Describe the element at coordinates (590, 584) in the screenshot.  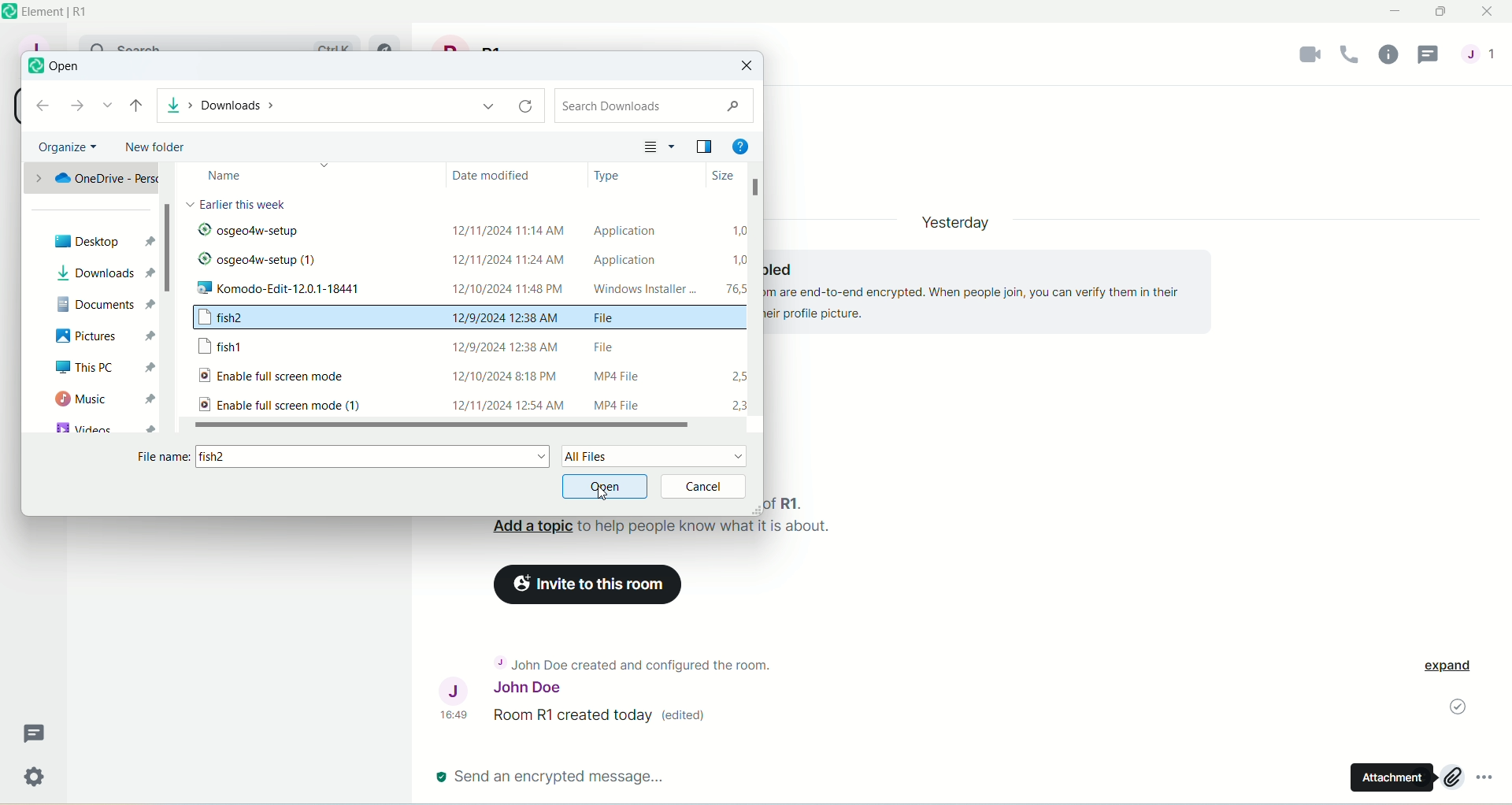
I see `invite to this room` at that location.